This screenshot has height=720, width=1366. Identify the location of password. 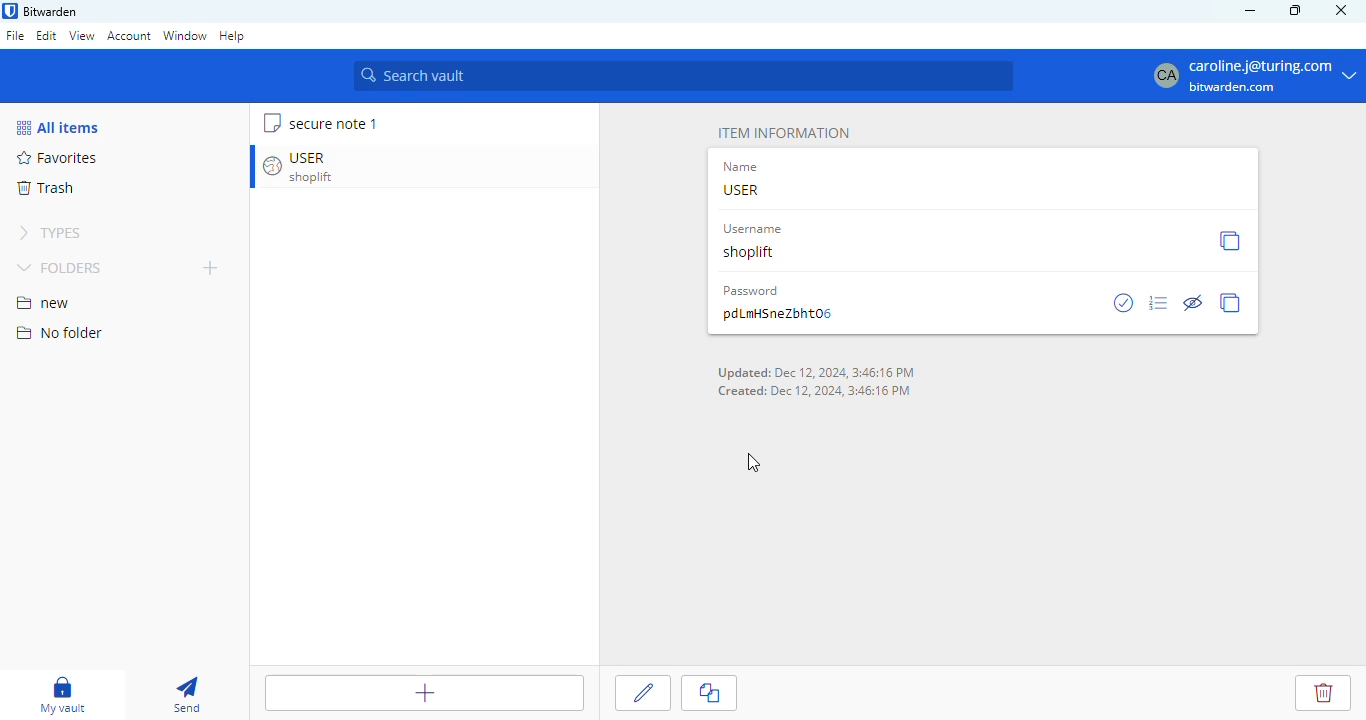
(751, 292).